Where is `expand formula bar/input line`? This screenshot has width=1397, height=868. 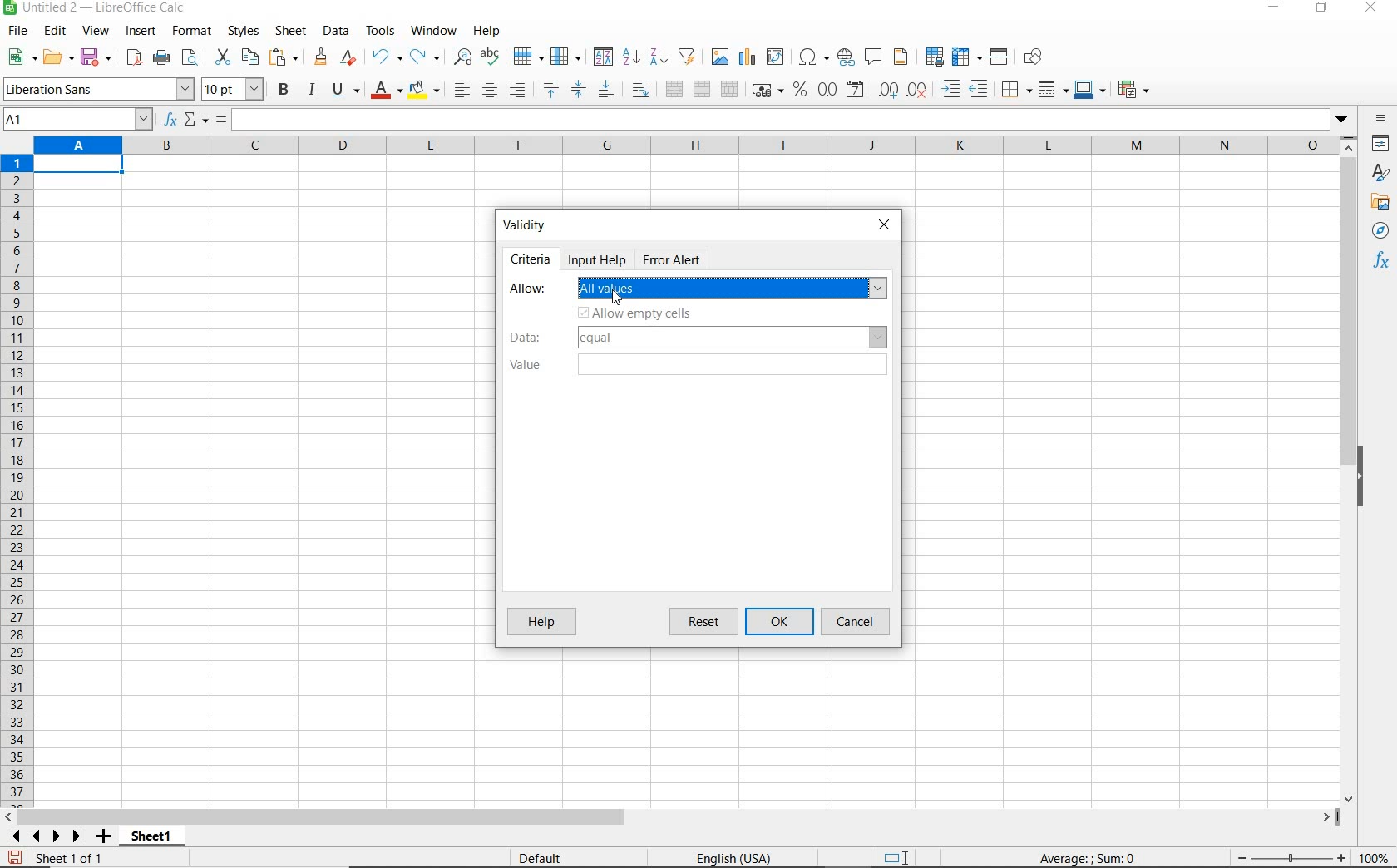 expand formula bar/input line is located at coordinates (777, 121).